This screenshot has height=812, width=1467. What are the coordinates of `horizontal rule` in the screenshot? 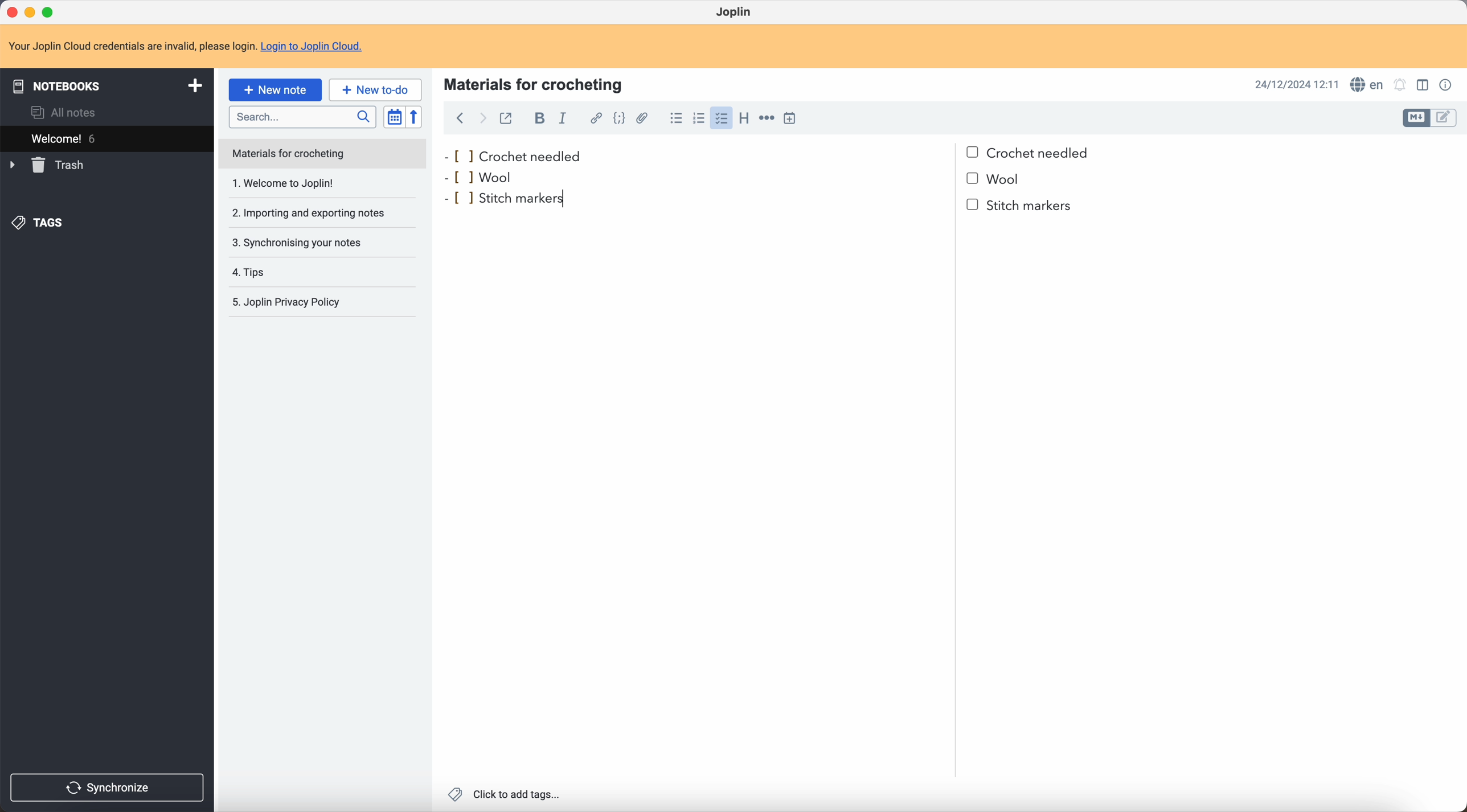 It's located at (766, 120).